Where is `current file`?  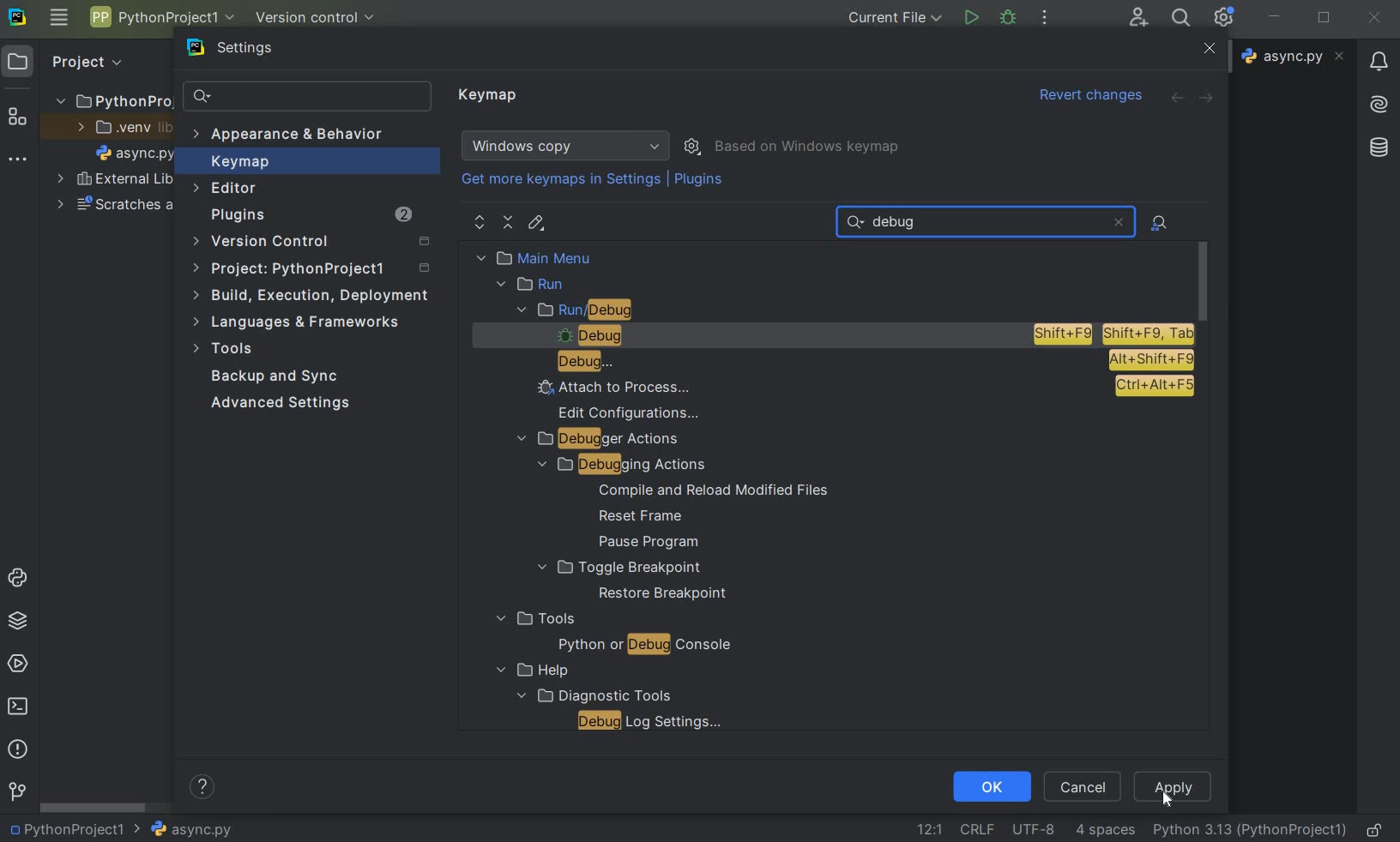
current file is located at coordinates (896, 17).